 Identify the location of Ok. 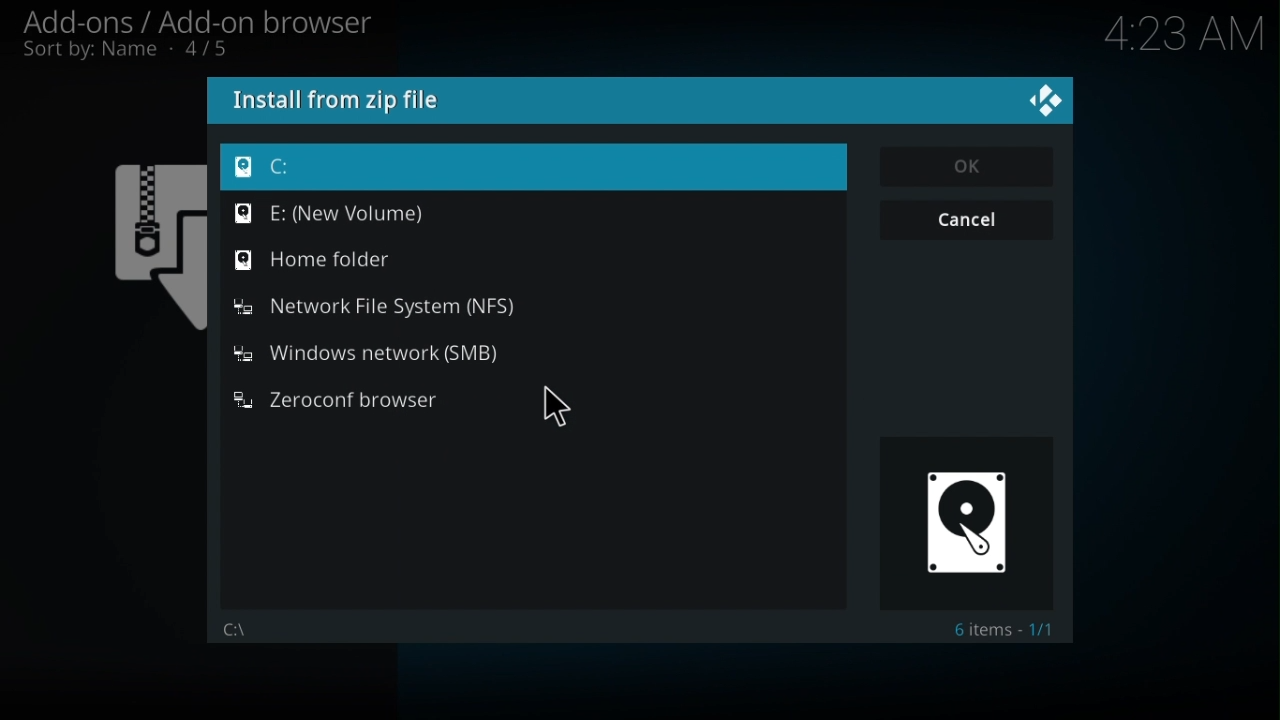
(962, 165).